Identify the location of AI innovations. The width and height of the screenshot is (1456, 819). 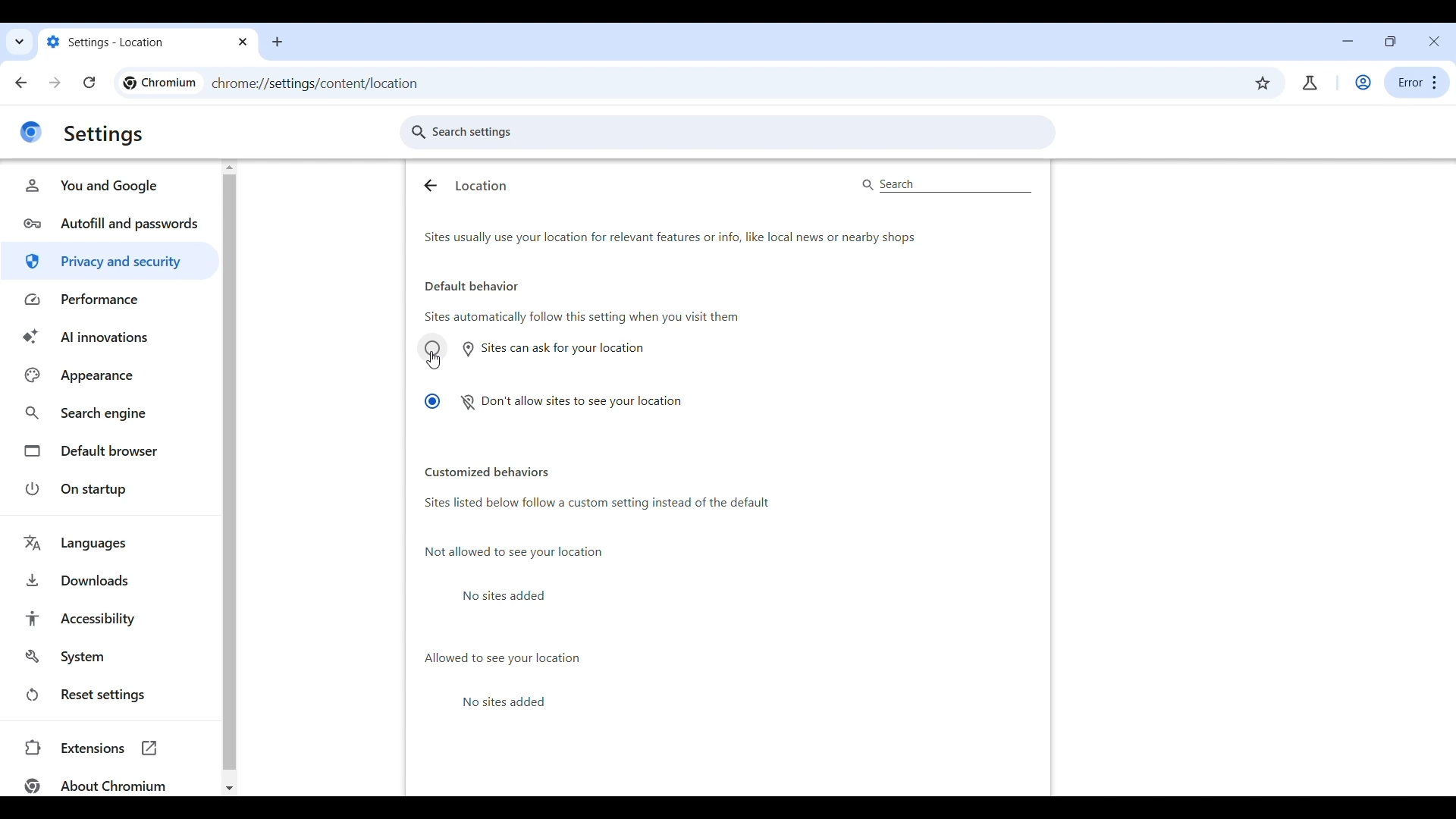
(110, 337).